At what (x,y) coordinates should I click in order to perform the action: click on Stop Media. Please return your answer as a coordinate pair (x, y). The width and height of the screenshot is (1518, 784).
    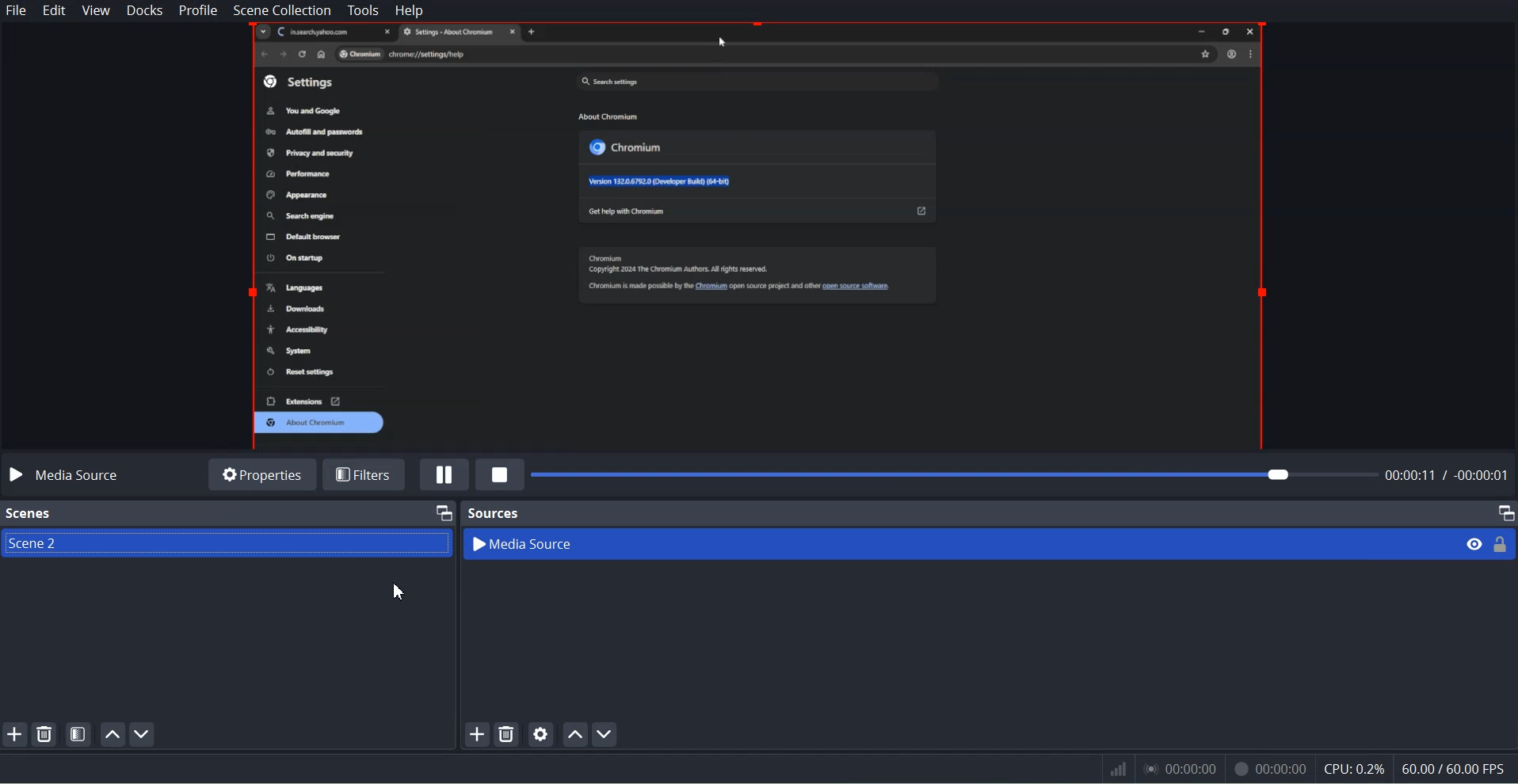
    Looking at the image, I should click on (501, 474).